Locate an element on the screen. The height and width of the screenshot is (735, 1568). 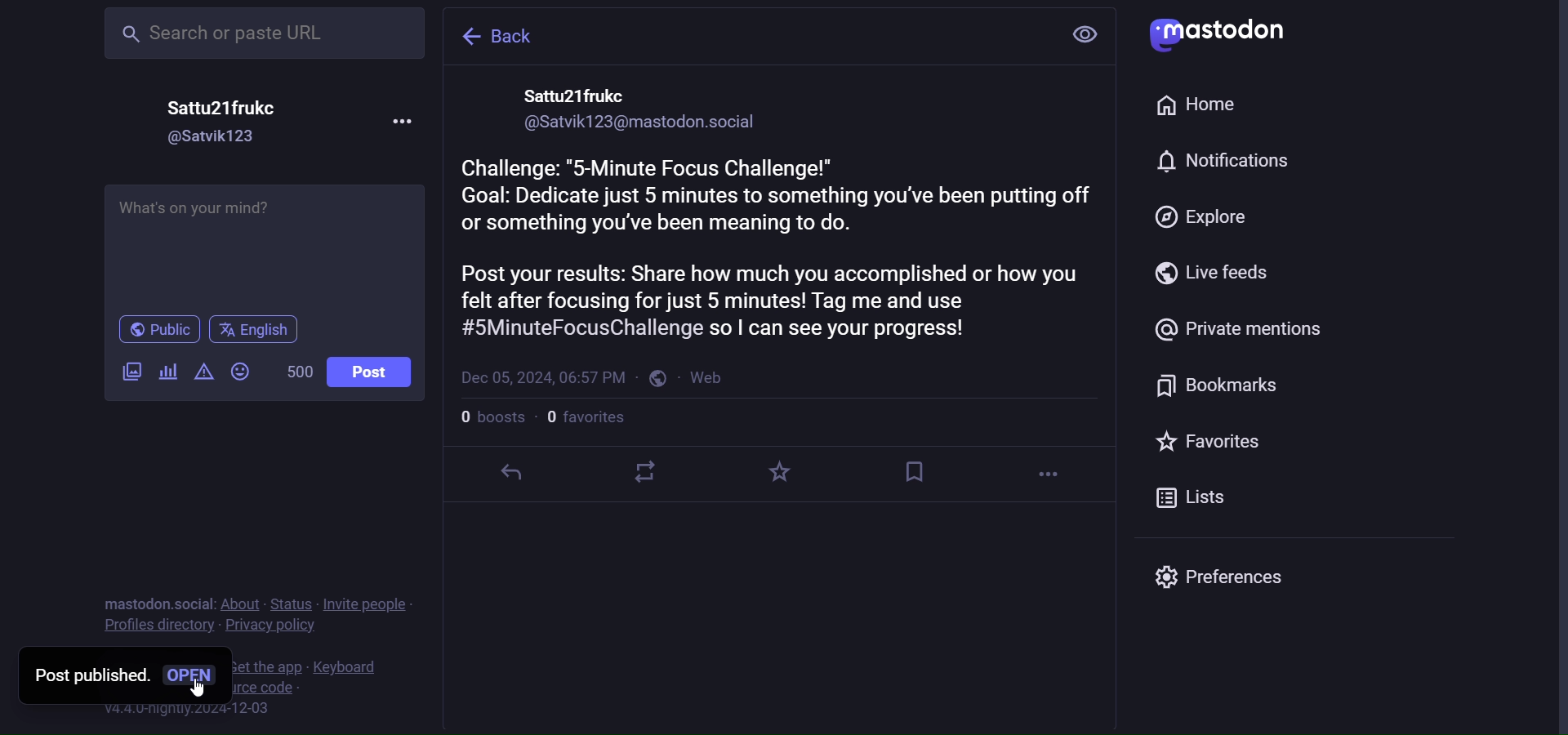
number of boost is located at coordinates (491, 420).